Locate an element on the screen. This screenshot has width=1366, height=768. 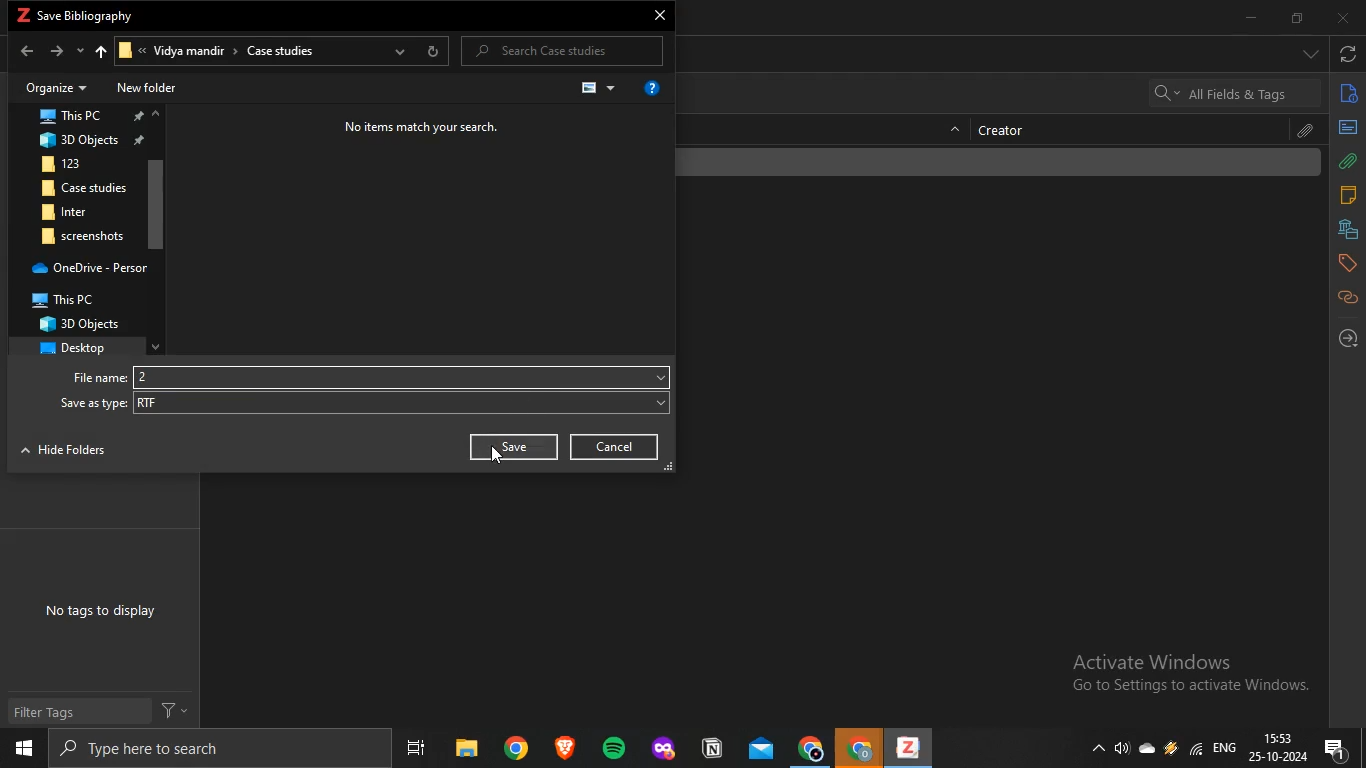
BR inter is located at coordinates (86, 212).